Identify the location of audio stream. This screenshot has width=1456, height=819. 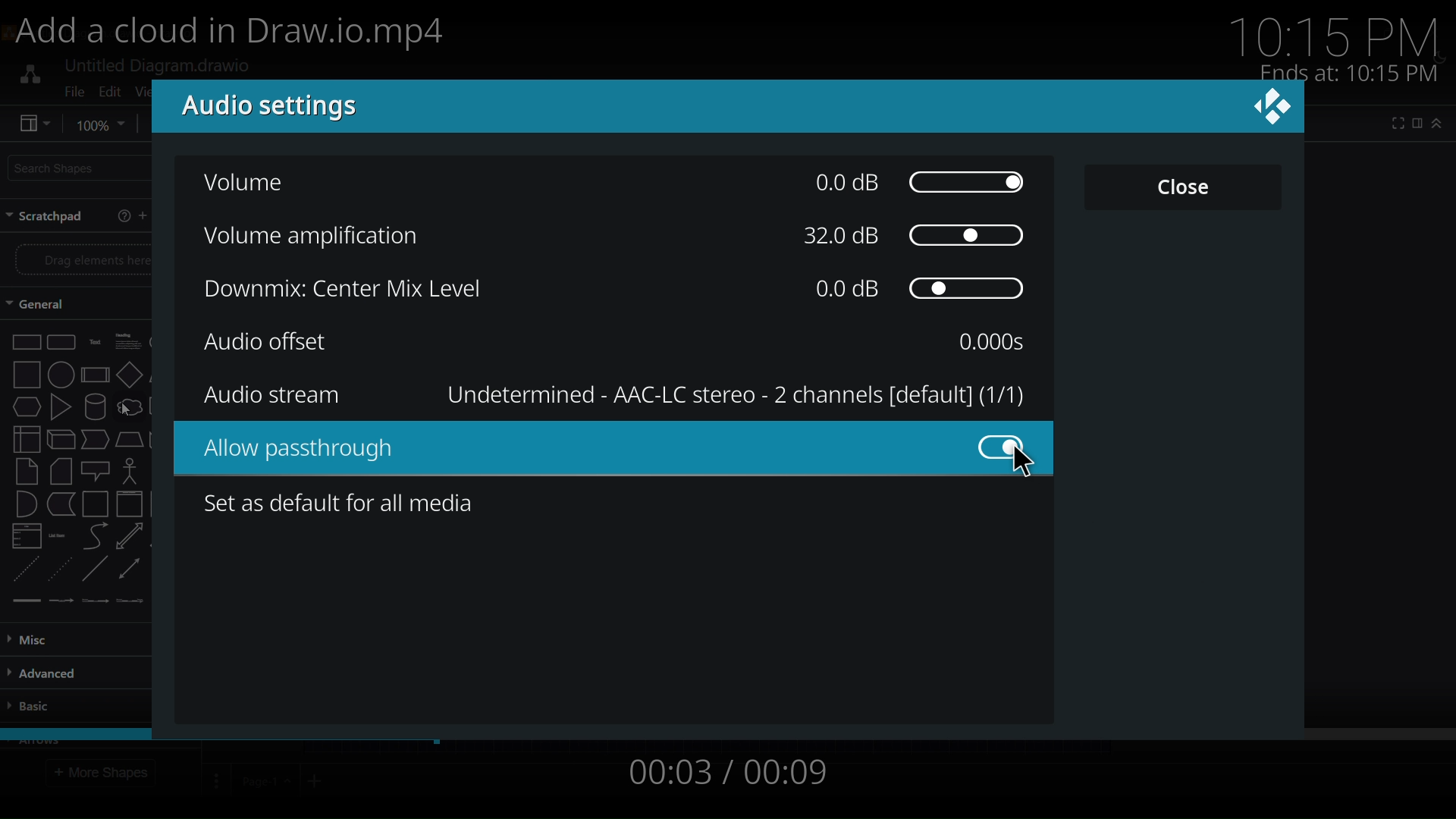
(282, 397).